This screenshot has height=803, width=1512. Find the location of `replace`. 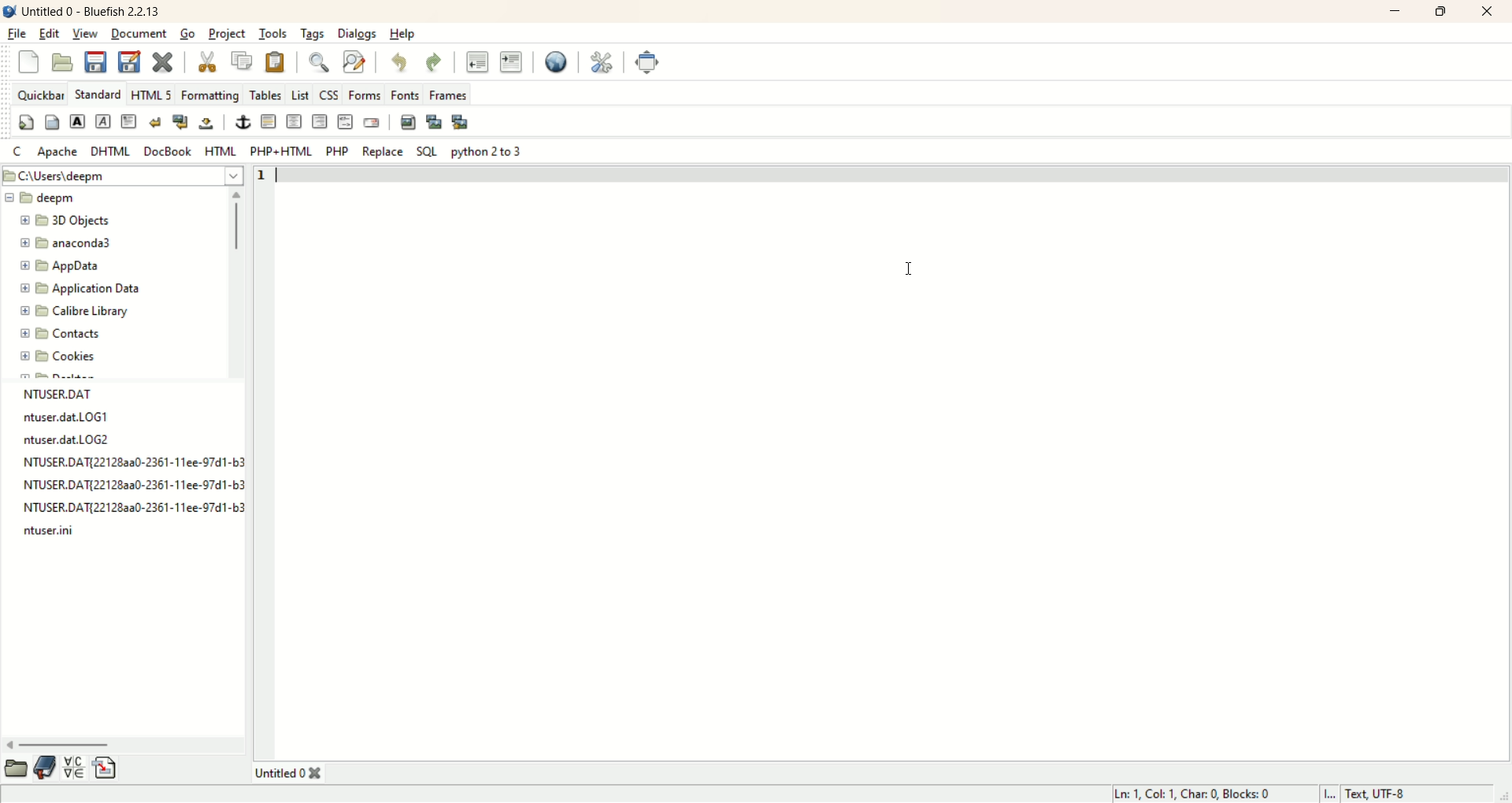

replace is located at coordinates (384, 153).